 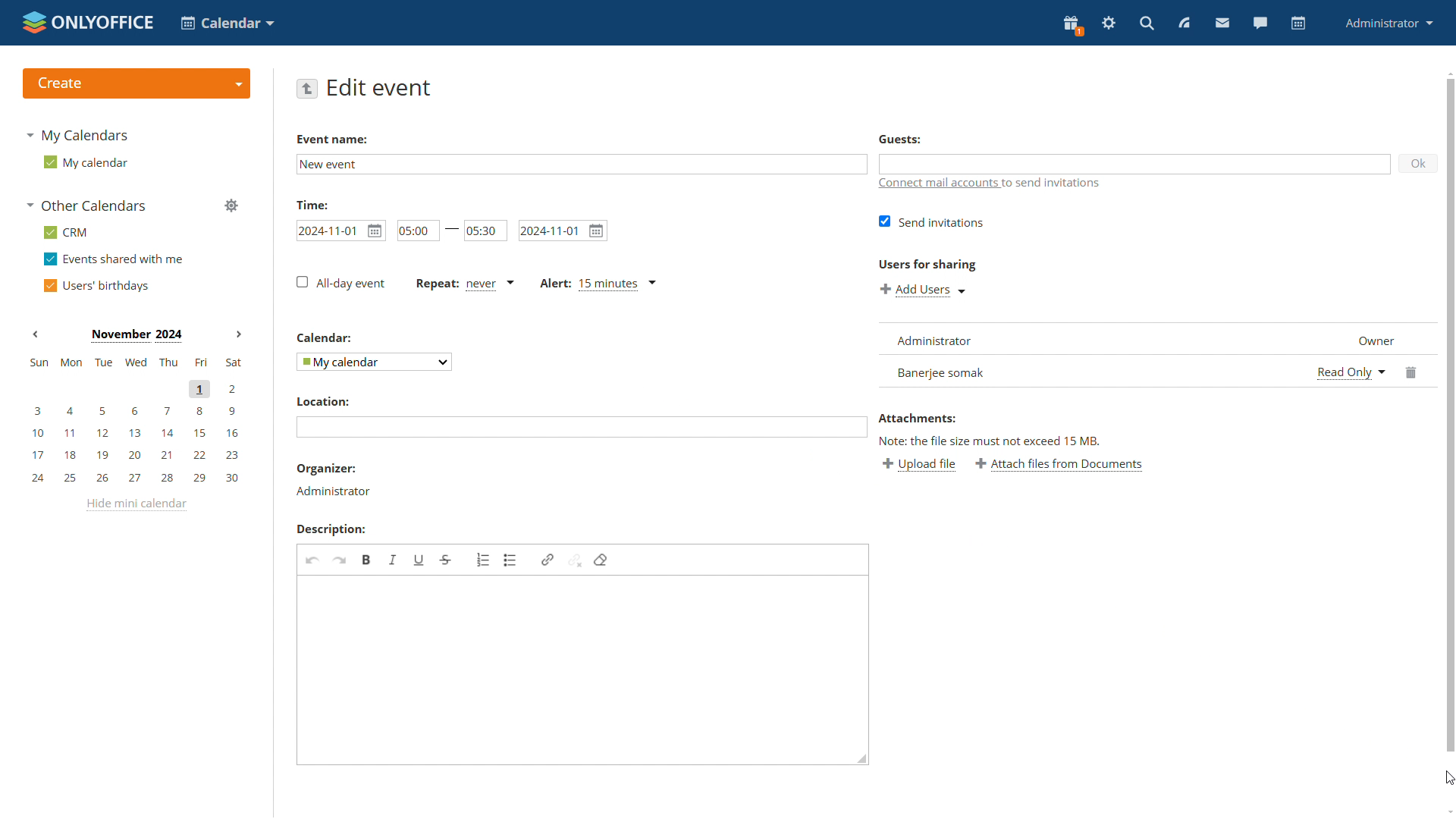 I want to click on Next month, so click(x=238, y=334).